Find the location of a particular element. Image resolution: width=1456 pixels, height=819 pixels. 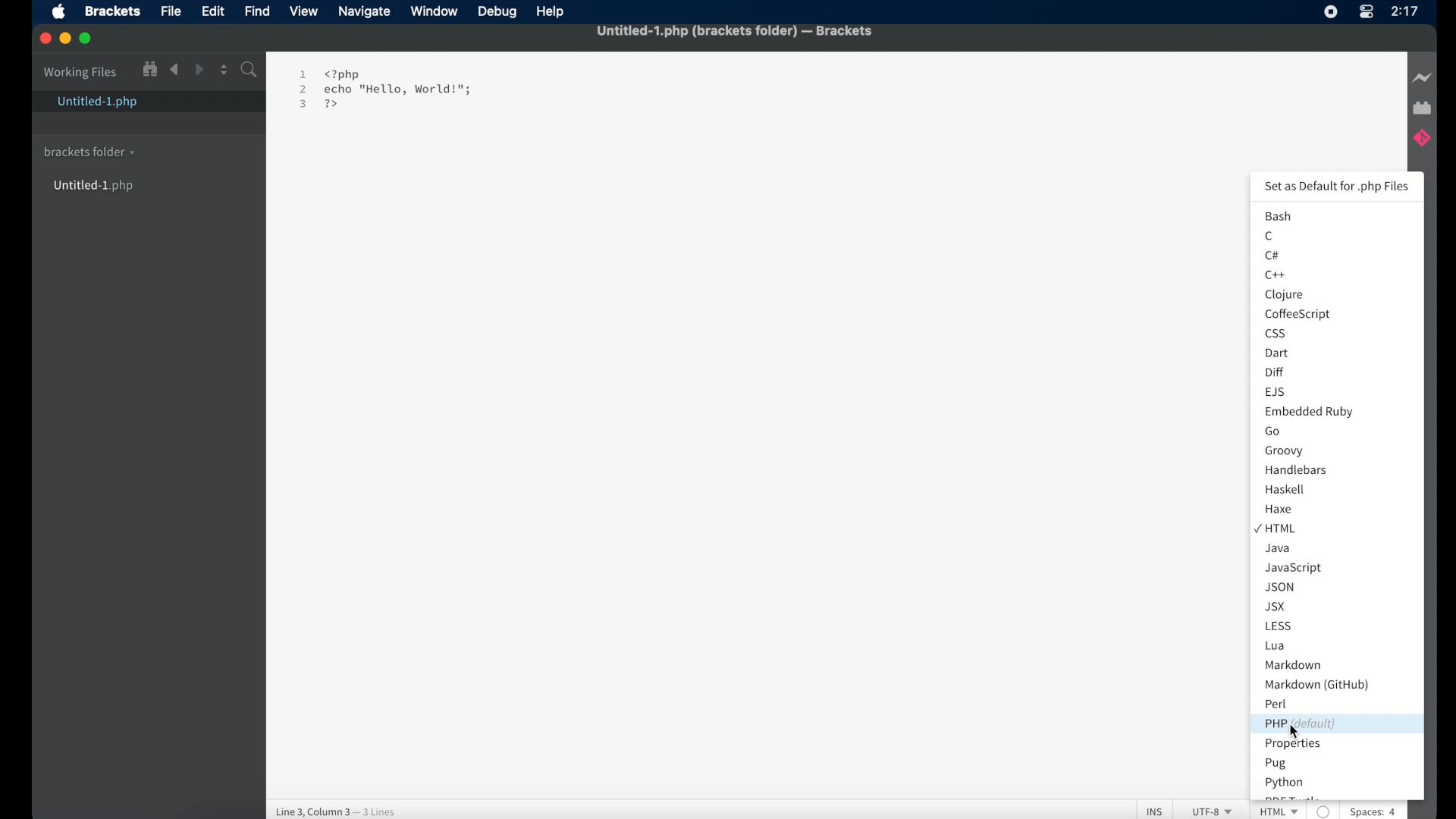

lua is located at coordinates (1276, 647).